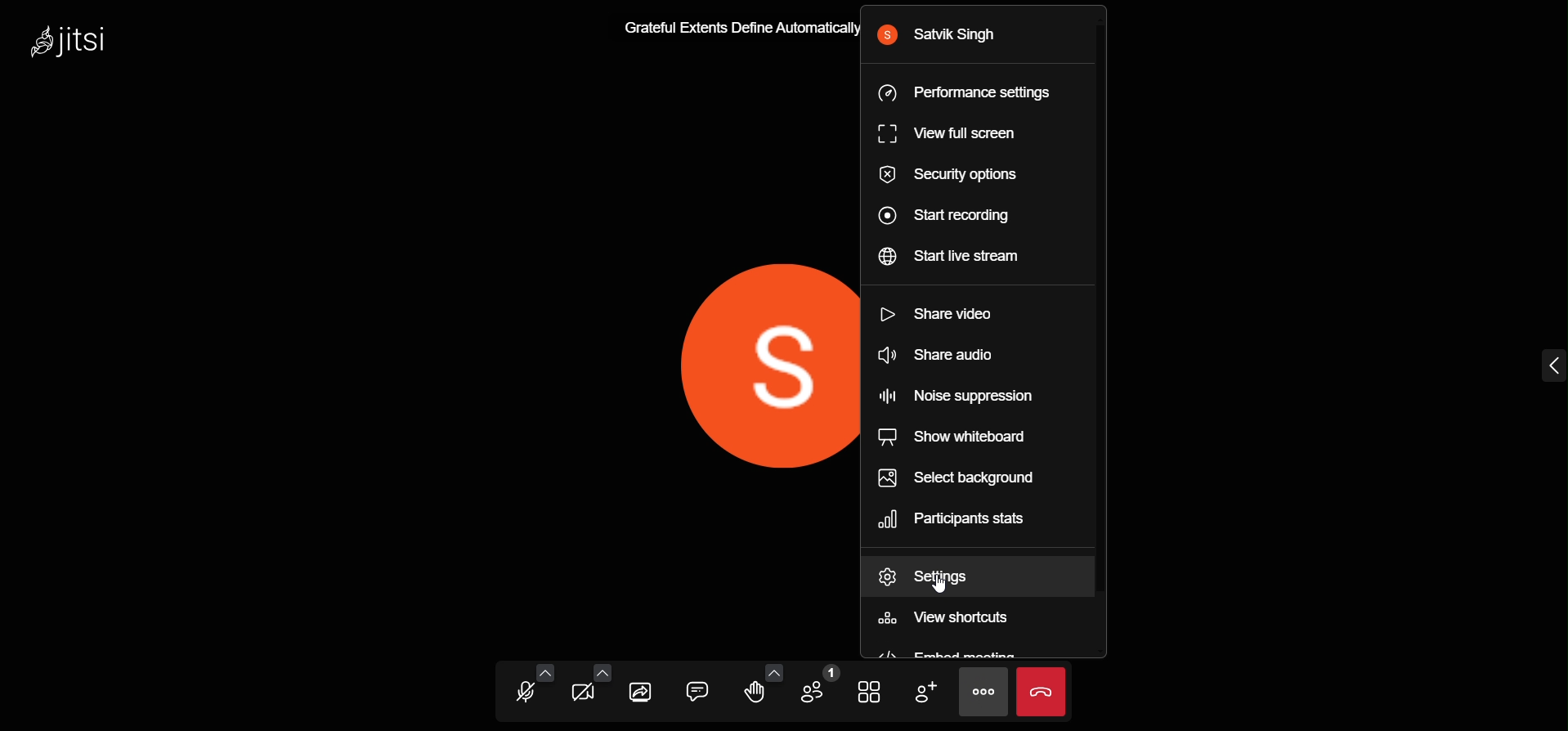 The width and height of the screenshot is (1568, 731). What do you see at coordinates (969, 481) in the screenshot?
I see `select background` at bounding box center [969, 481].